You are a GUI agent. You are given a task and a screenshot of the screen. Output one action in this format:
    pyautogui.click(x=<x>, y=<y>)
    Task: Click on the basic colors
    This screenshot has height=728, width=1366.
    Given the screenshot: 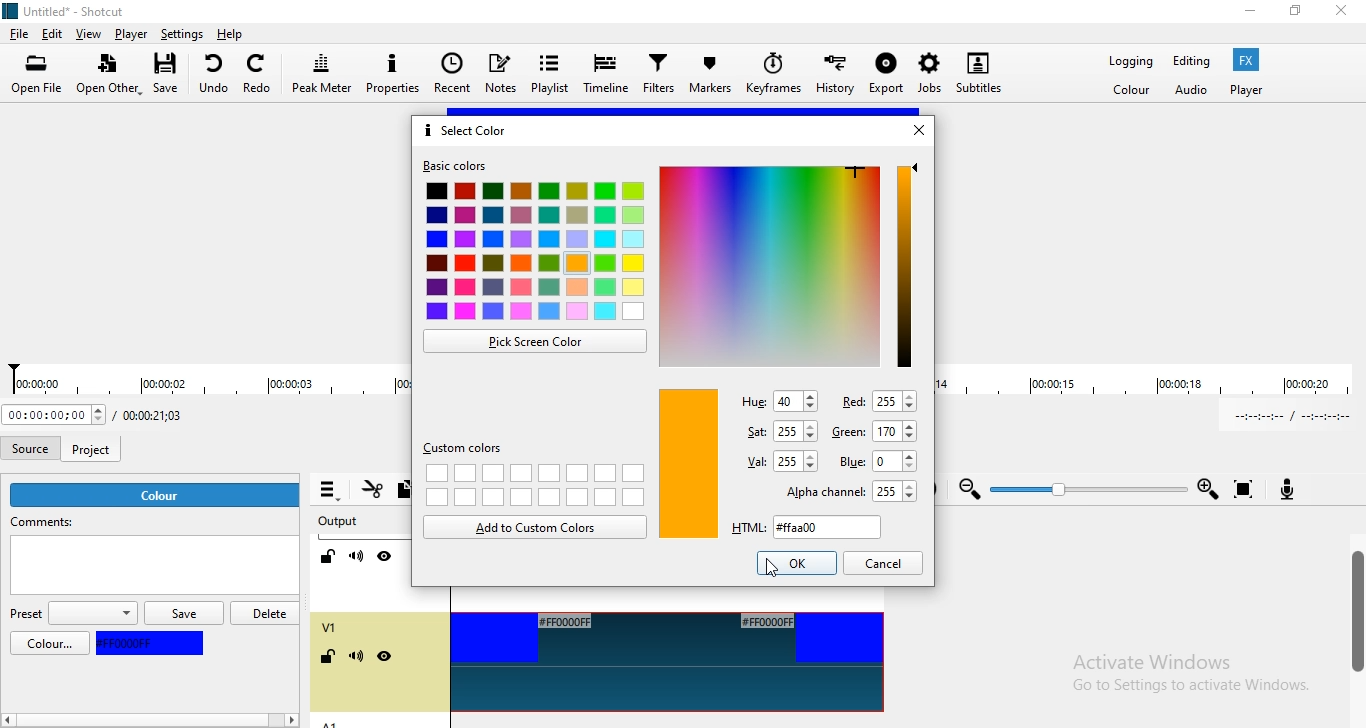 What is the action you would take?
    pyautogui.click(x=458, y=168)
    